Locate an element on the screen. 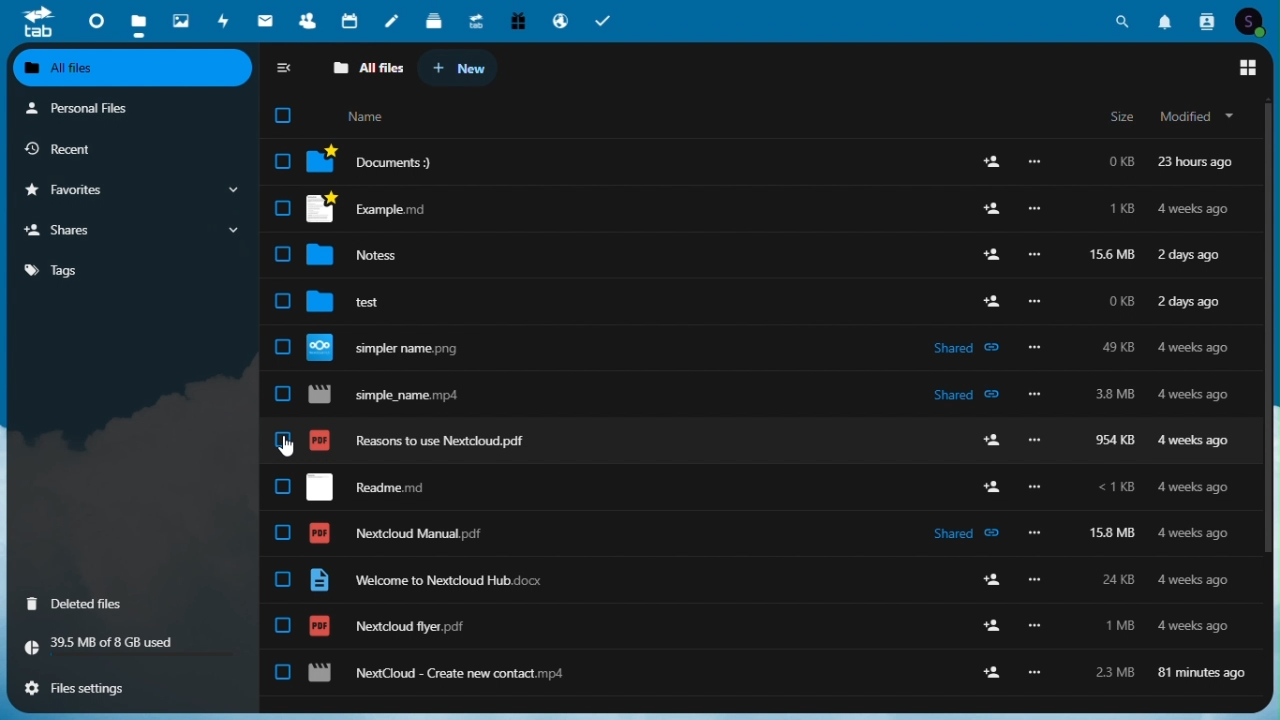  documents is located at coordinates (384, 161).